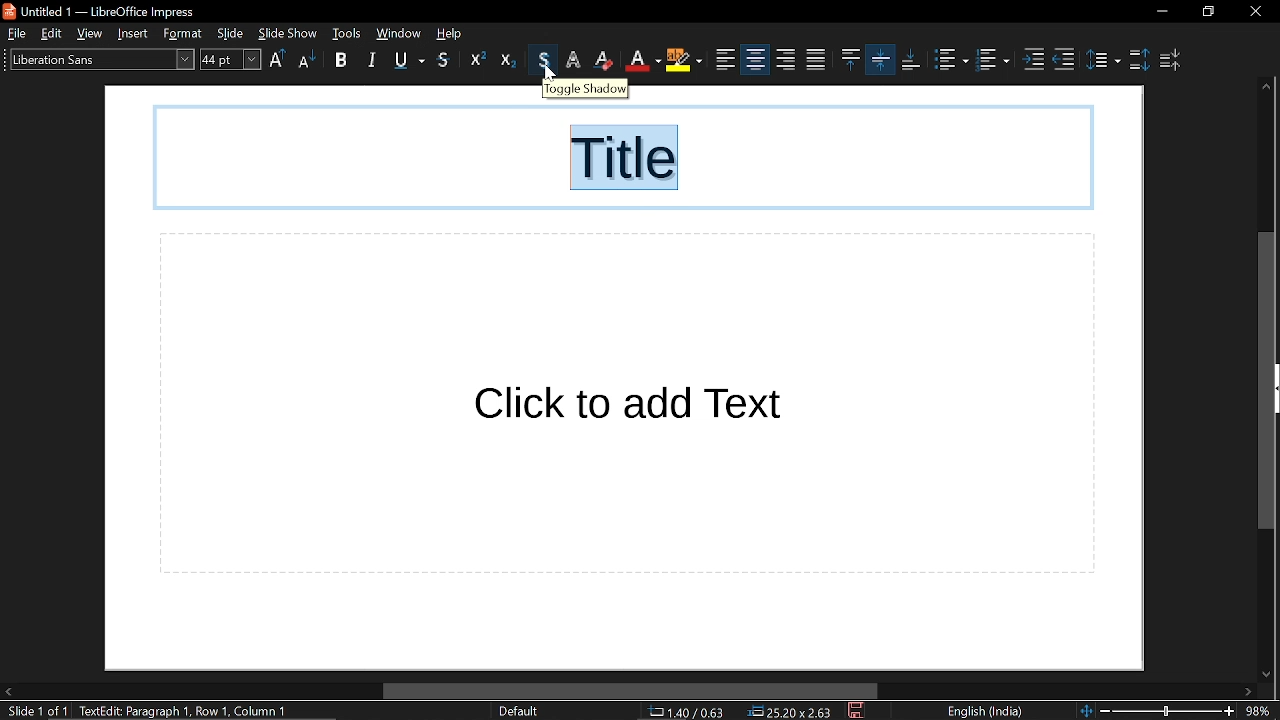 The image size is (1280, 720). Describe the element at coordinates (1229, 712) in the screenshot. I see `zoom in` at that location.